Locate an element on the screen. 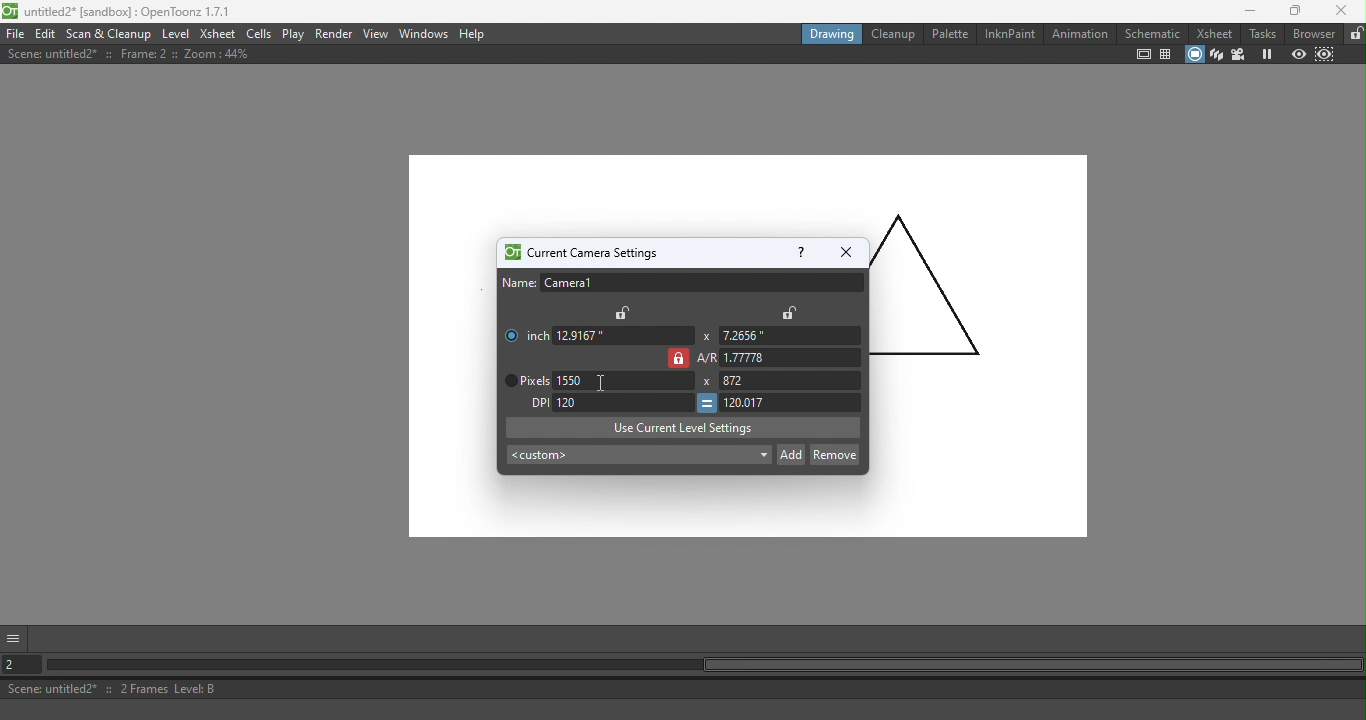 Image resolution: width=1366 pixels, height=720 pixels. Cleanup is located at coordinates (891, 33).